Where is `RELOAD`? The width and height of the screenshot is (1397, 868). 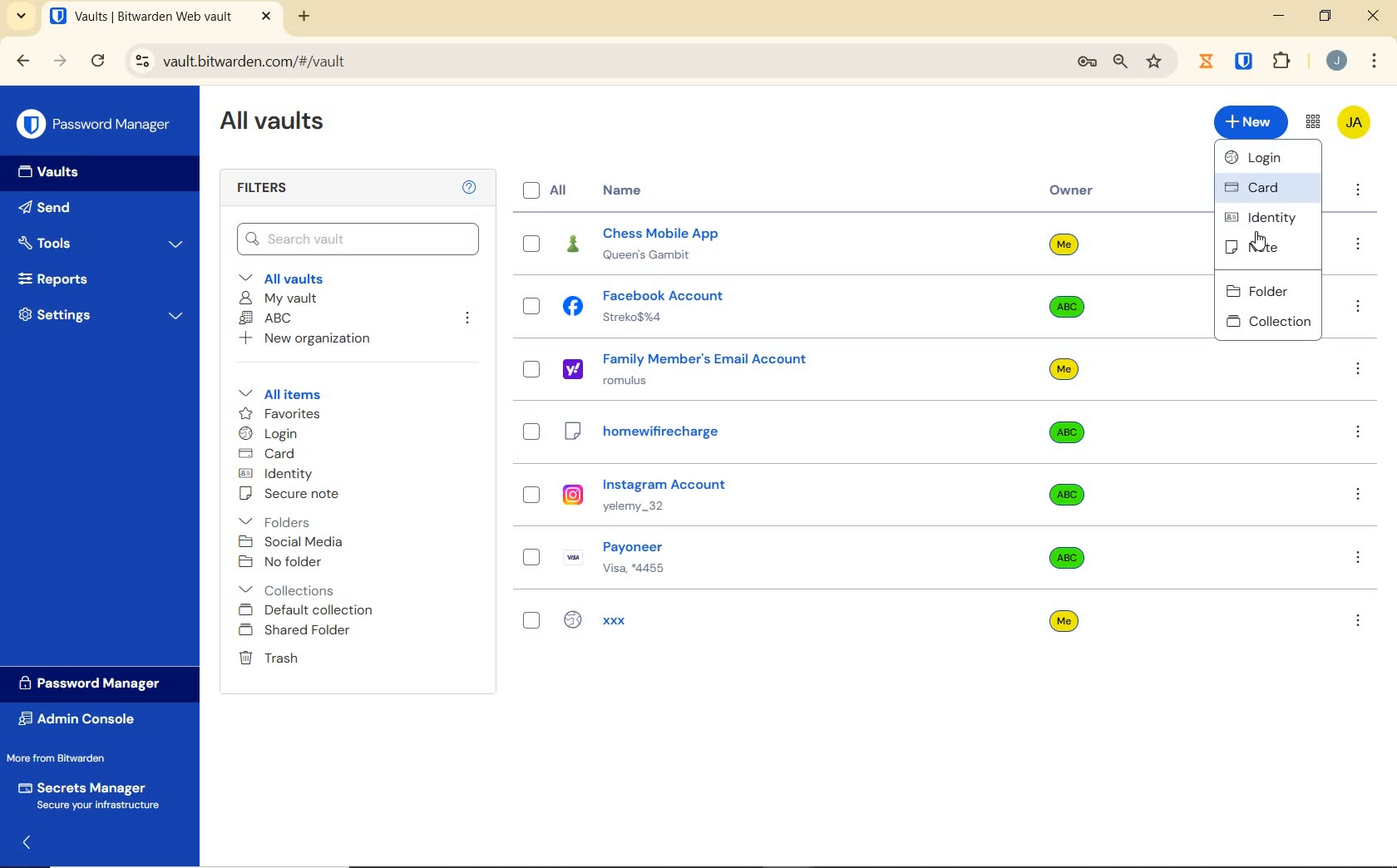 RELOAD is located at coordinates (99, 62).